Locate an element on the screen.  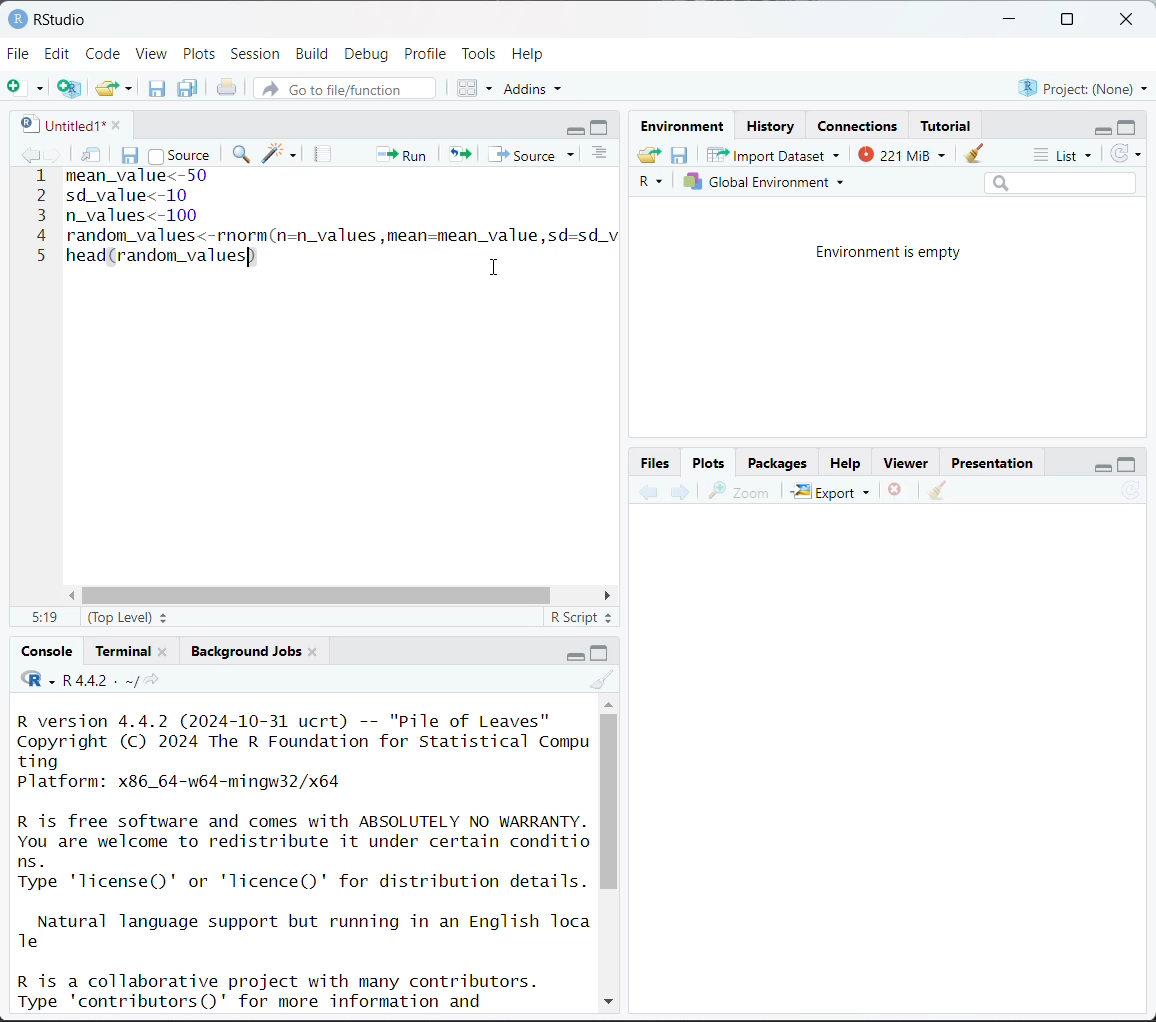
maximize is located at coordinates (602, 127).